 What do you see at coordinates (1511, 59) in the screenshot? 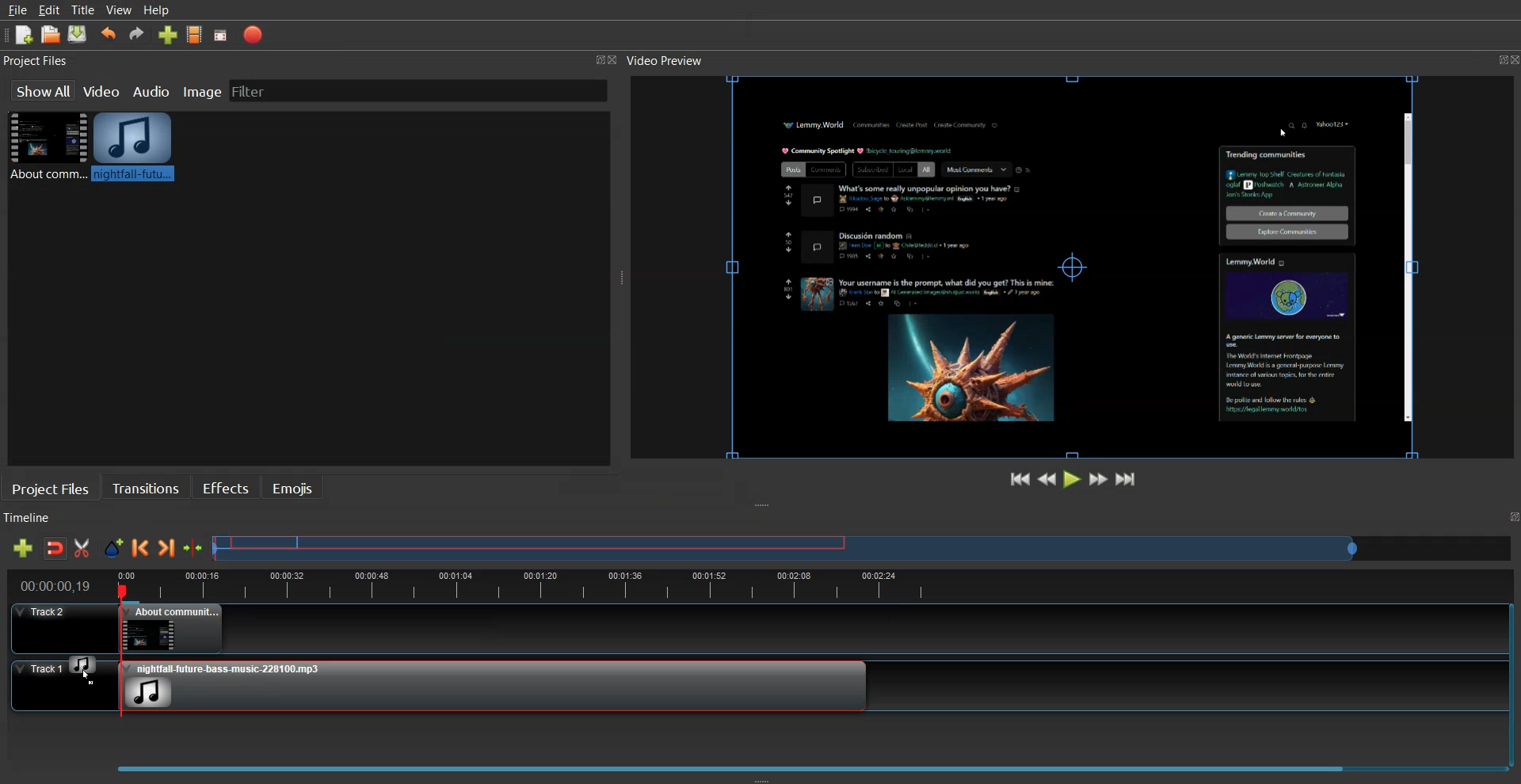
I see `Close` at bounding box center [1511, 59].